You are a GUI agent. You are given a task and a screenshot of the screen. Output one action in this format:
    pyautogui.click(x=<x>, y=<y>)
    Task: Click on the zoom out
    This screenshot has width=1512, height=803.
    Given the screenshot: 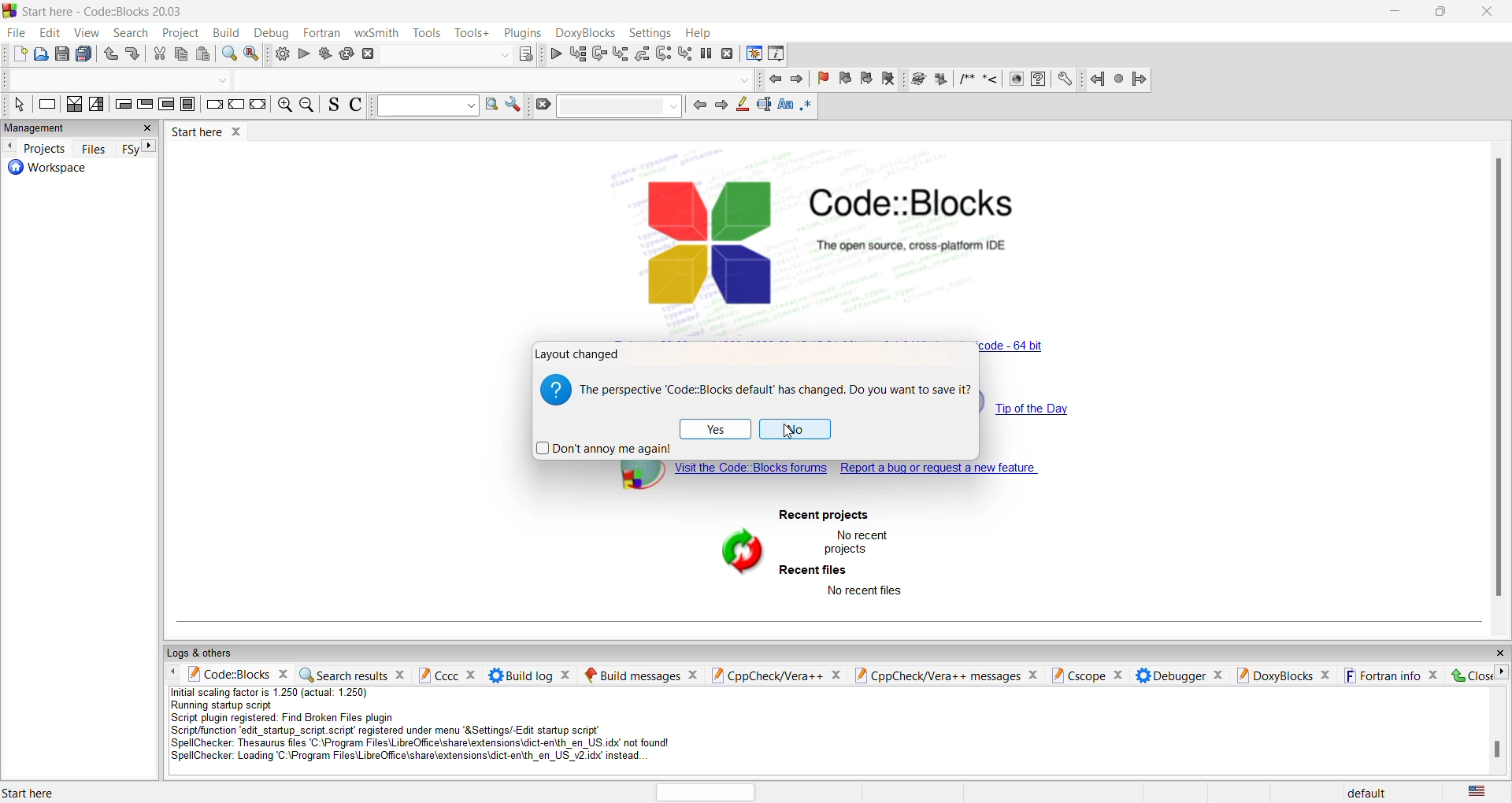 What is the action you would take?
    pyautogui.click(x=309, y=105)
    